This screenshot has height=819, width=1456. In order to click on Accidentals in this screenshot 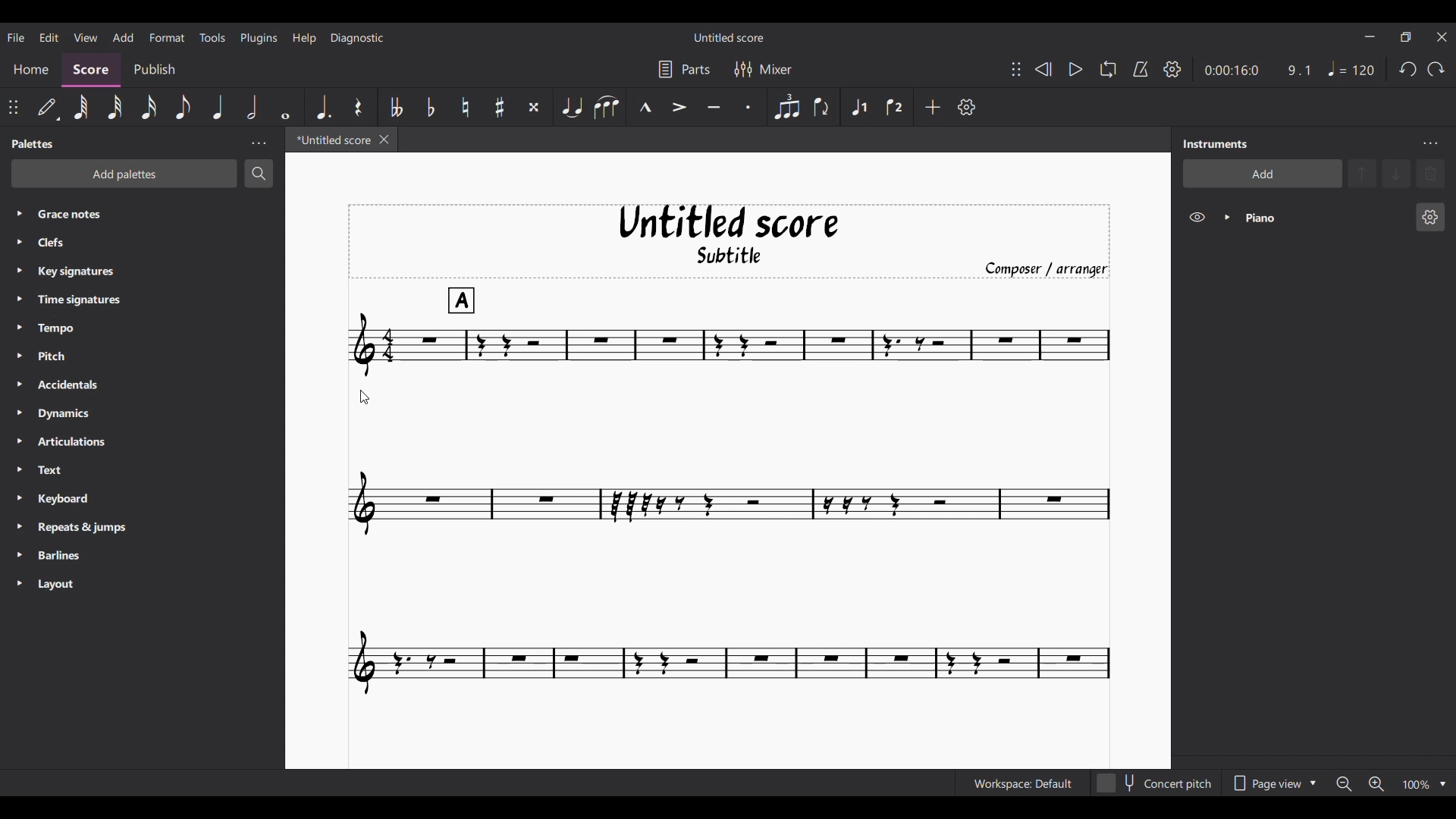, I will do `click(90, 386)`.